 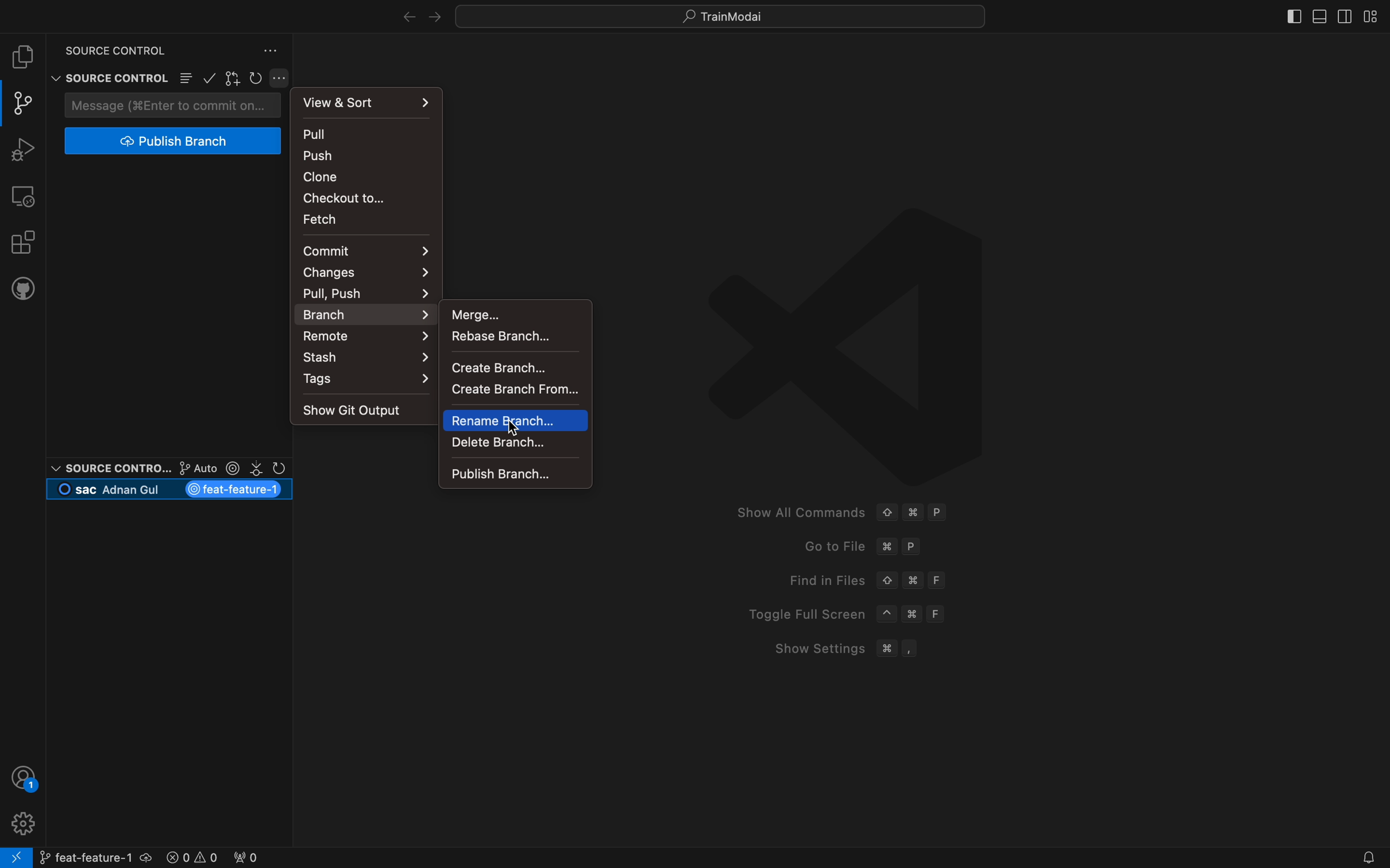 What do you see at coordinates (22, 241) in the screenshot?
I see `extensions` at bounding box center [22, 241].